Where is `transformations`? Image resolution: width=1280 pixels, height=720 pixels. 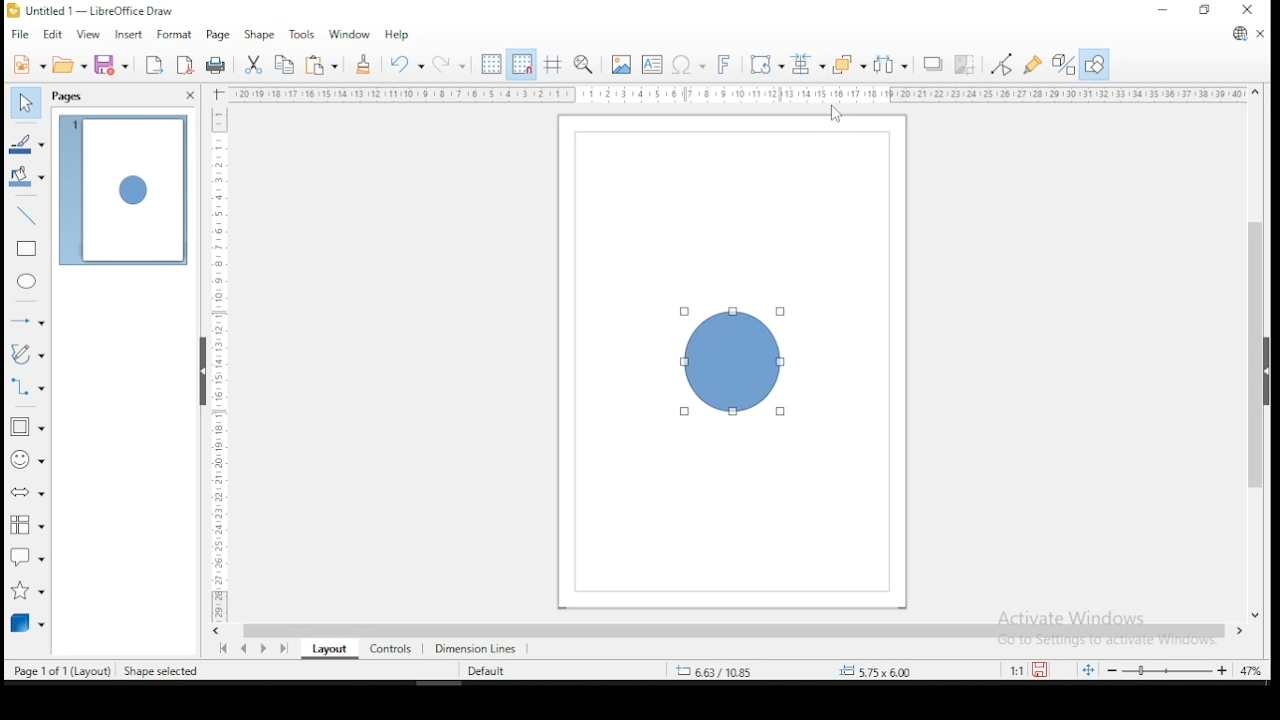 transformations is located at coordinates (764, 62).